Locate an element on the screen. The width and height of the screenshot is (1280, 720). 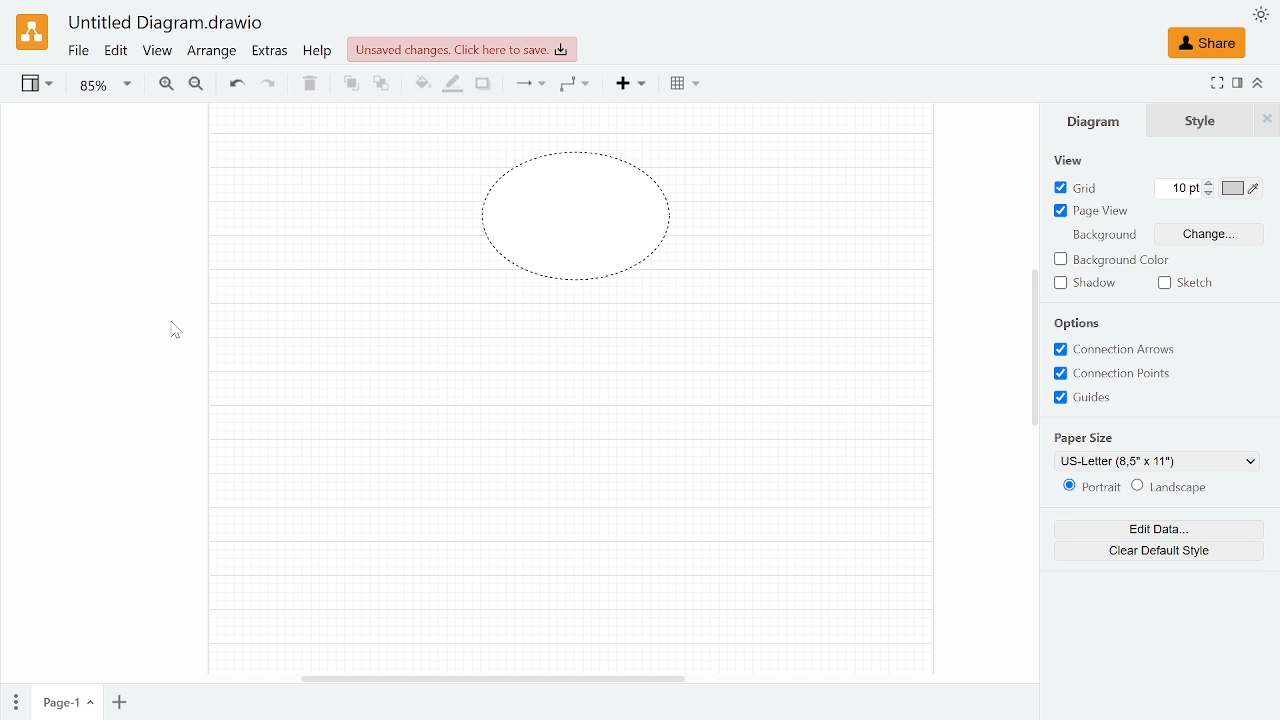
Draw.io logo is located at coordinates (33, 31).